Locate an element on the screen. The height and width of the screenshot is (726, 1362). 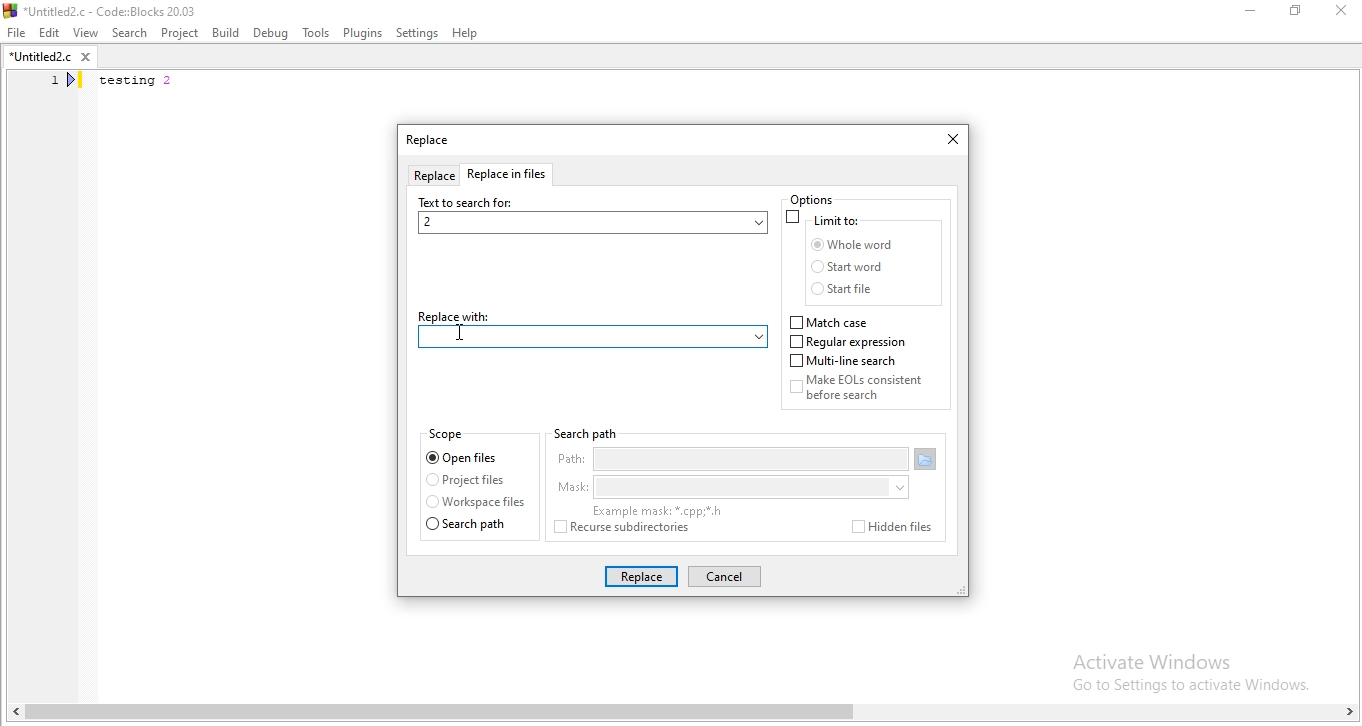
Tools  is located at coordinates (315, 34).